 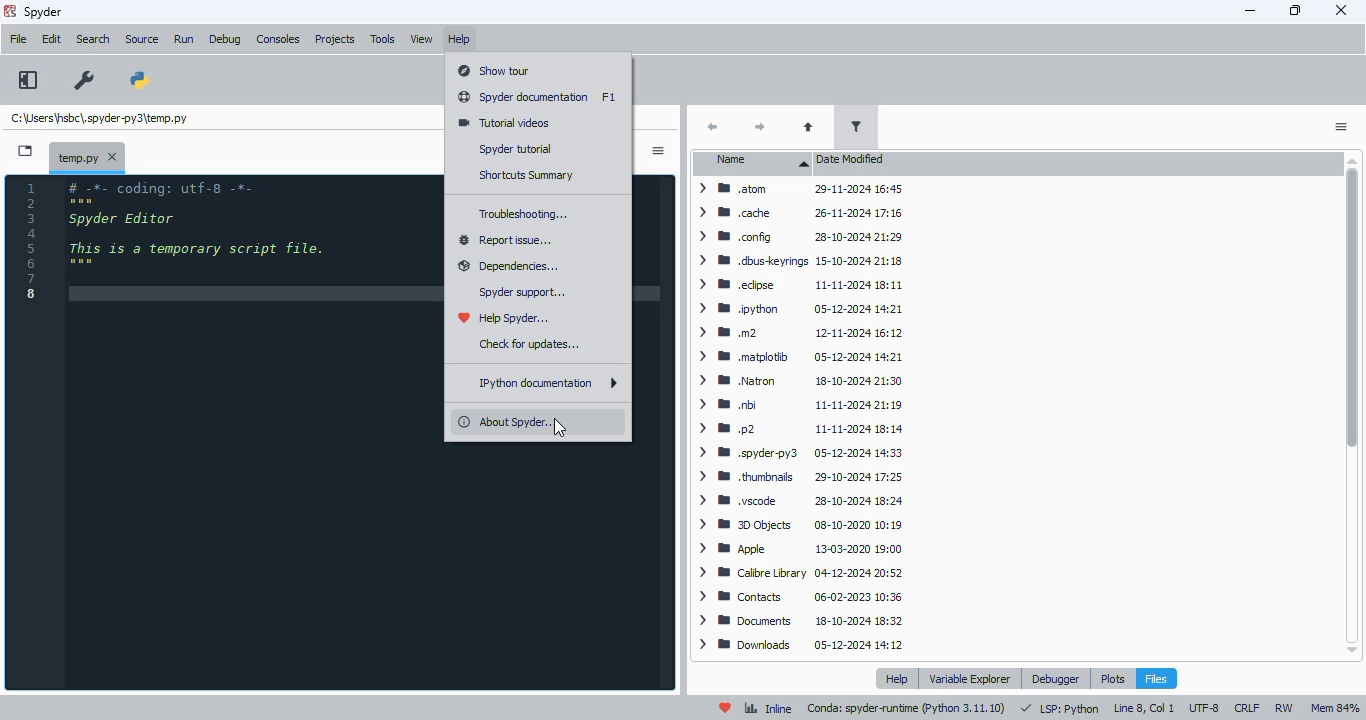 What do you see at coordinates (797, 211) in the screenshot?
I see `> MW cache 26-11-2024 17:16` at bounding box center [797, 211].